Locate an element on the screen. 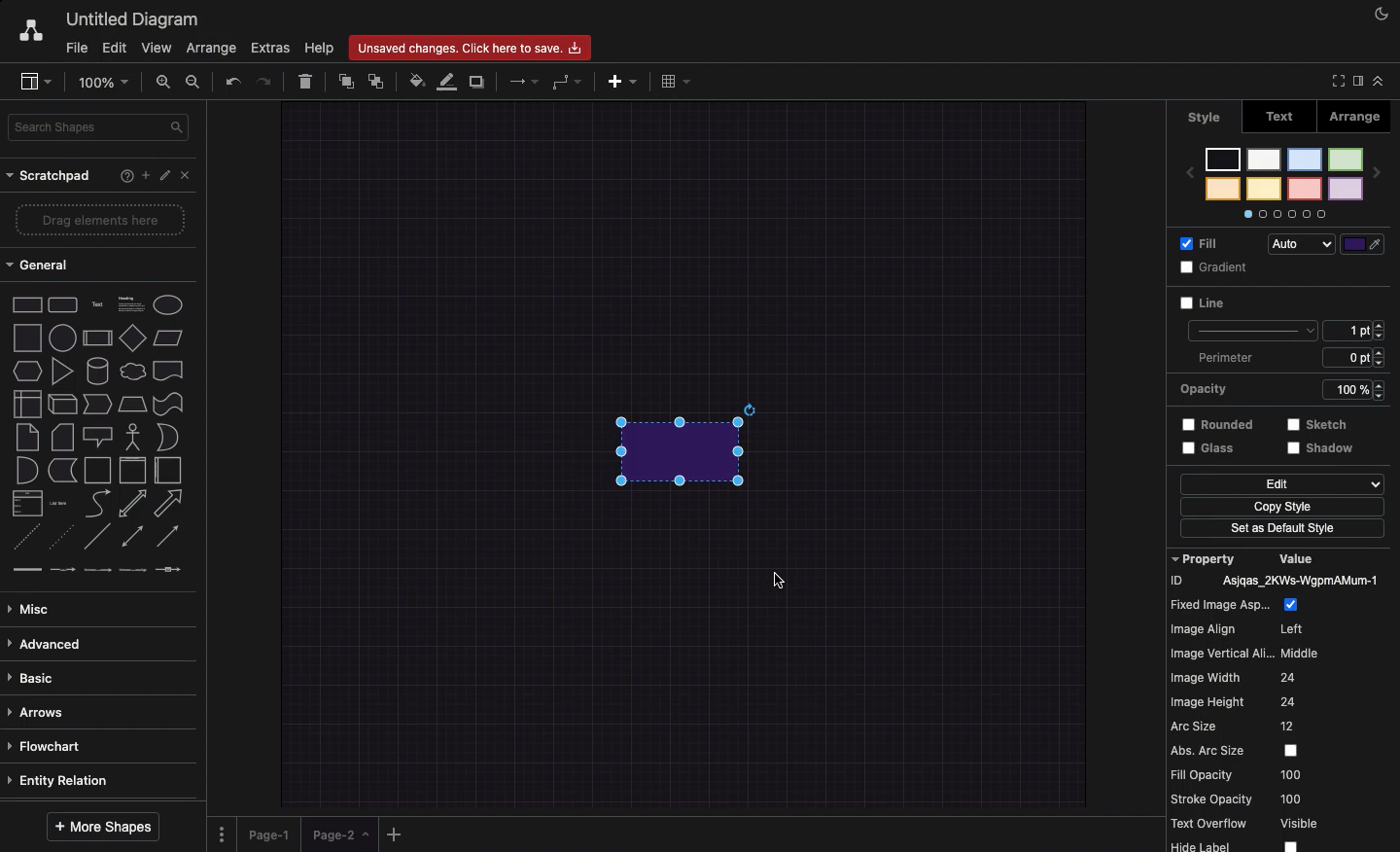 This screenshot has width=1400, height=852. Ad is located at coordinates (624, 79).